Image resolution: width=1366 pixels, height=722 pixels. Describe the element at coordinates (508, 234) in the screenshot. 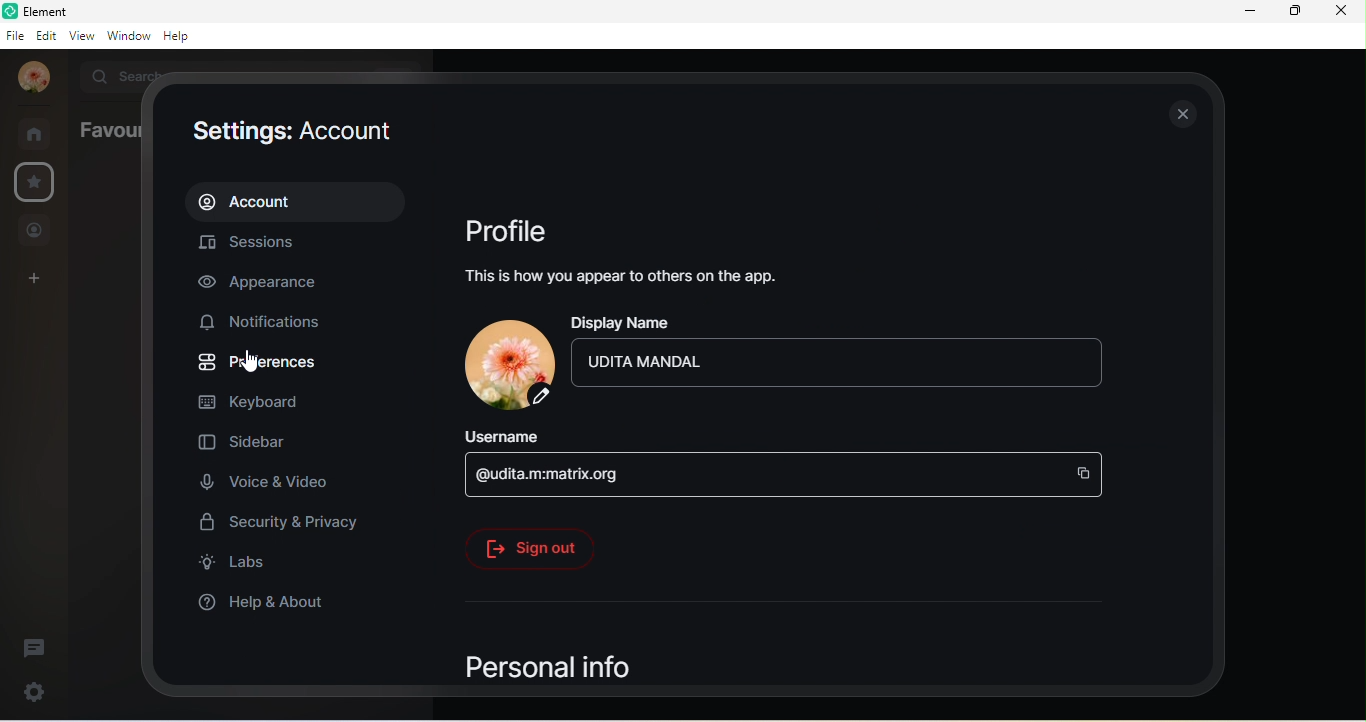

I see `profile` at that location.